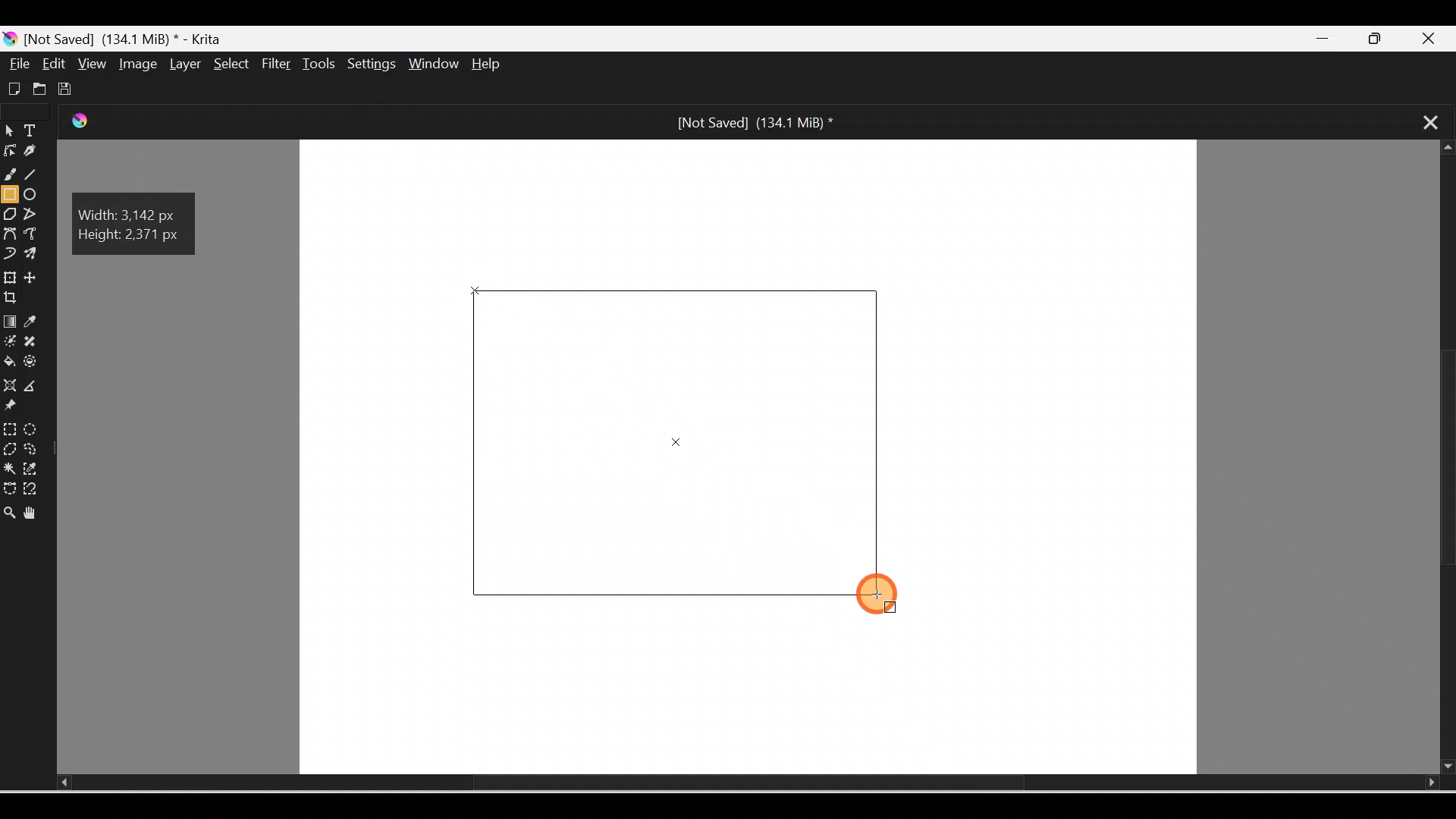  Describe the element at coordinates (135, 64) in the screenshot. I see `Image` at that location.